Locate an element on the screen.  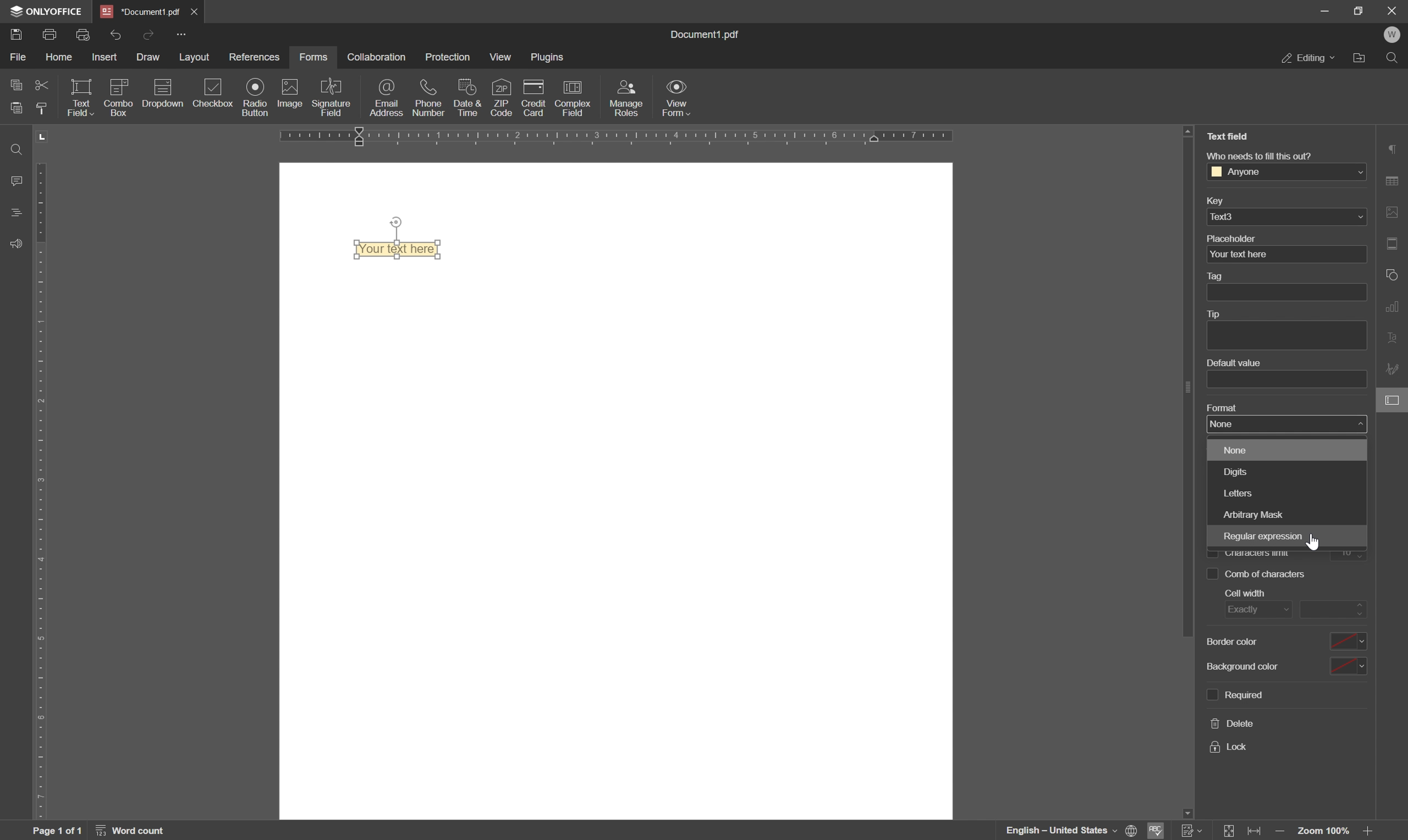
editing is located at coordinates (1308, 59).